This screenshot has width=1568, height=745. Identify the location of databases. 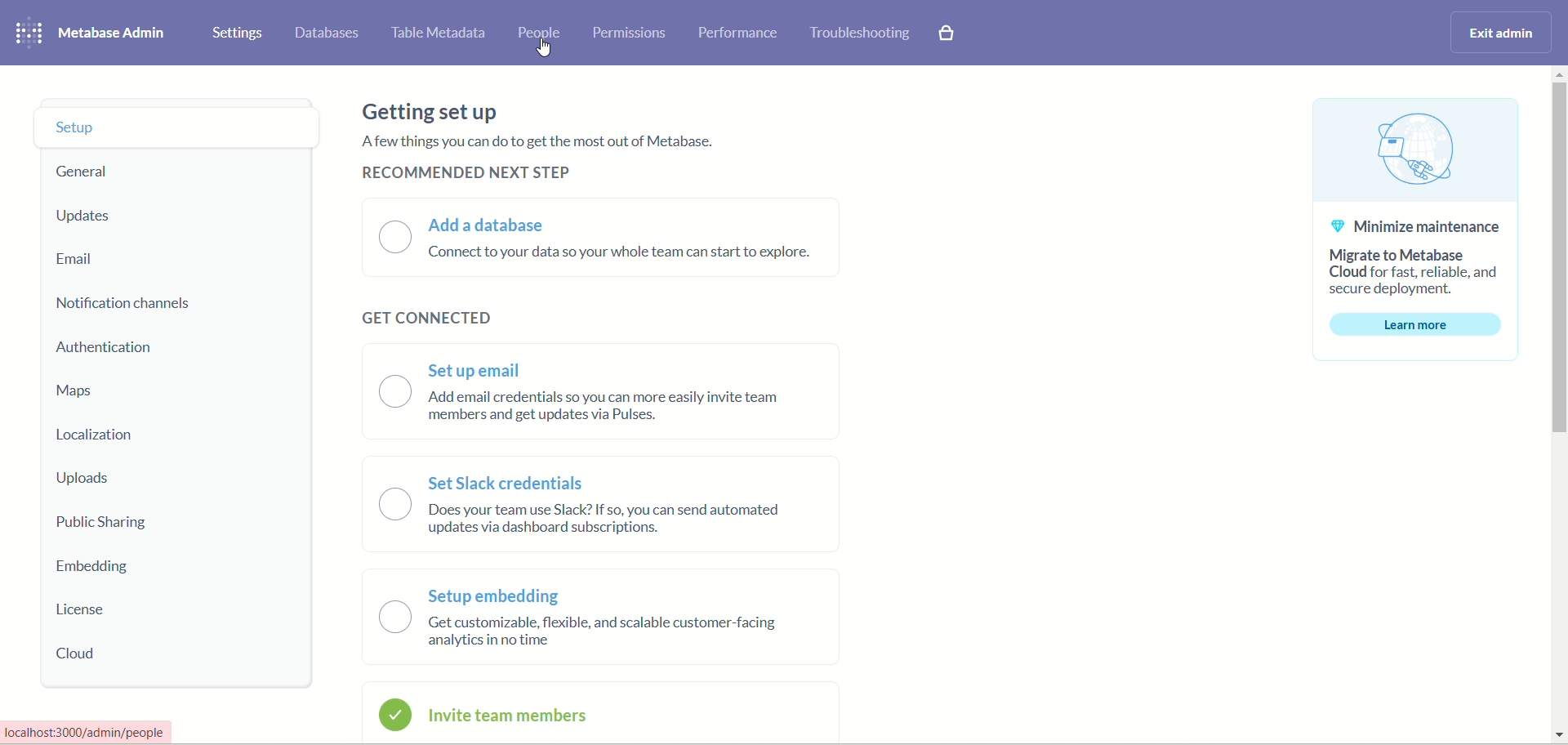
(327, 33).